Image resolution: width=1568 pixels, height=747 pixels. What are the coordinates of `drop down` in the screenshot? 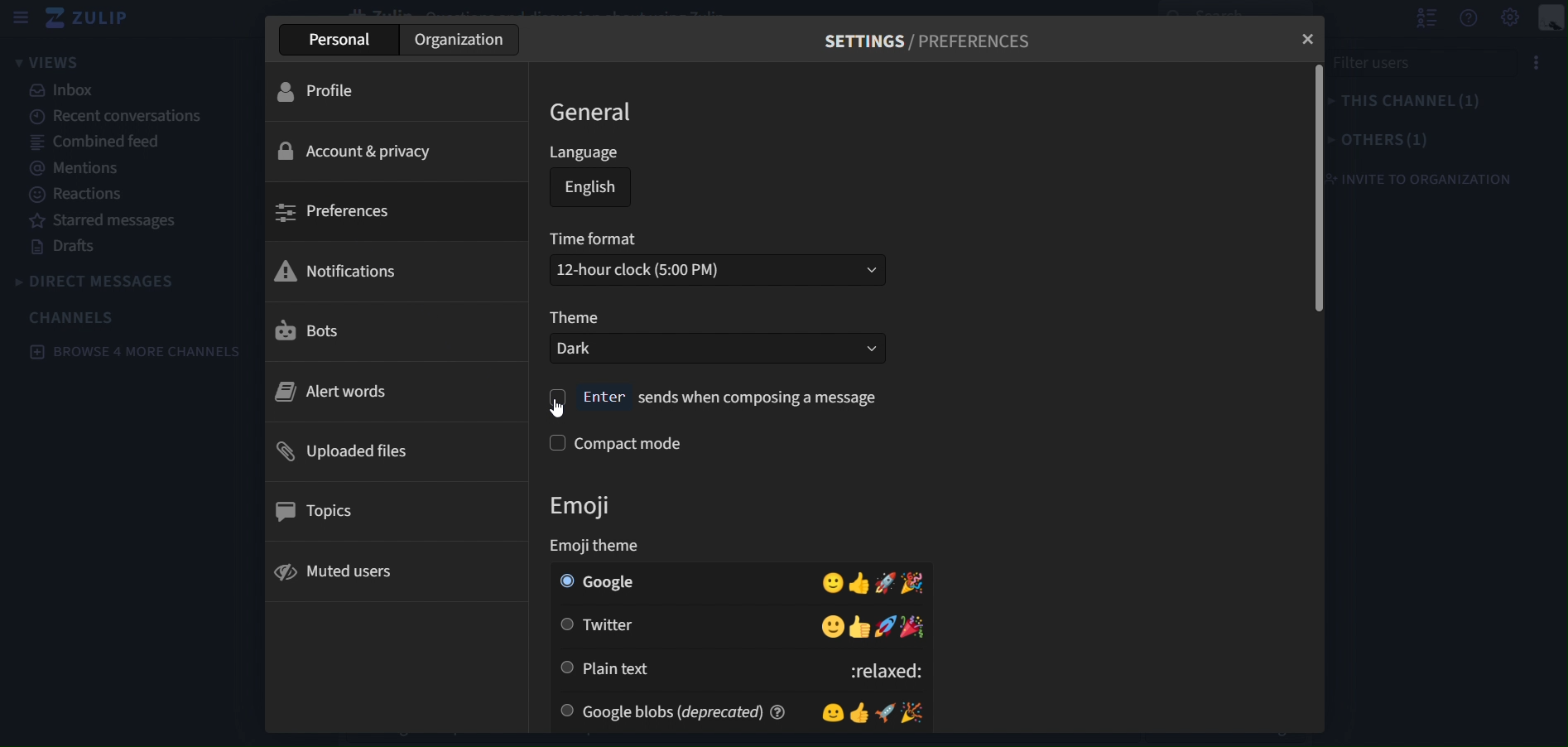 It's located at (860, 349).